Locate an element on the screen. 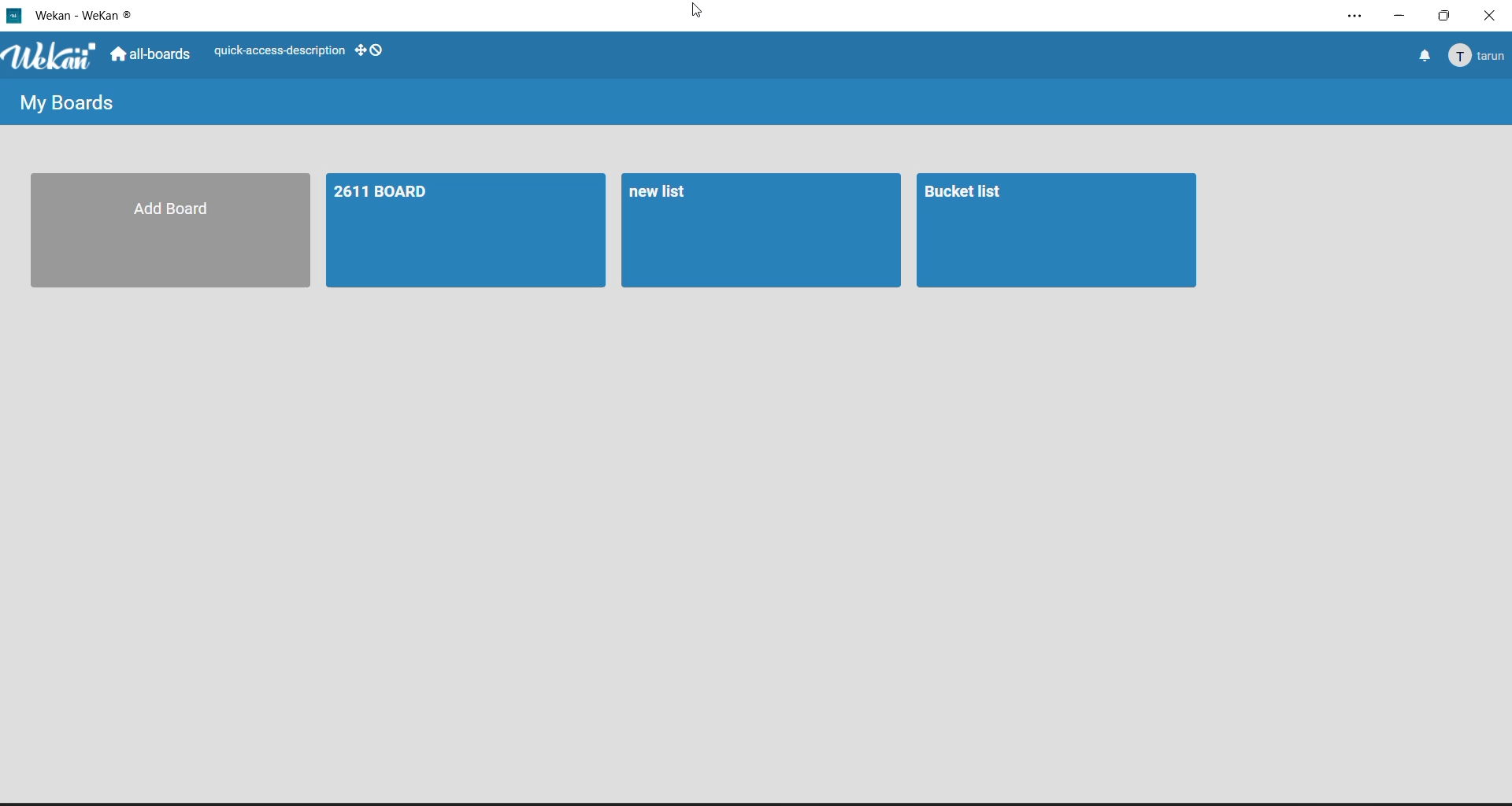  Add Board is located at coordinates (161, 230).